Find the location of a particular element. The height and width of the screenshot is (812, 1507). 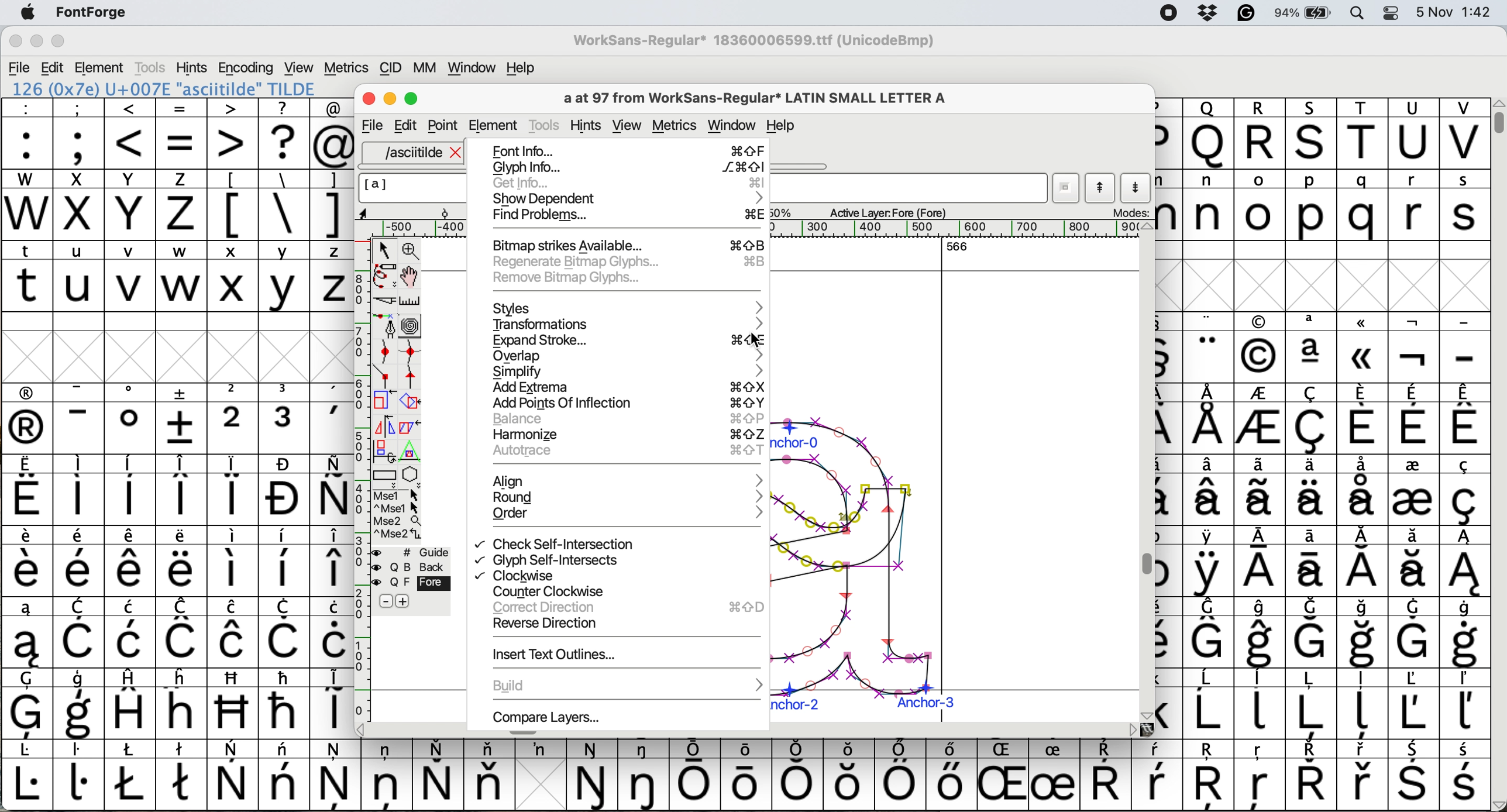

add points of inflection is located at coordinates (631, 404).